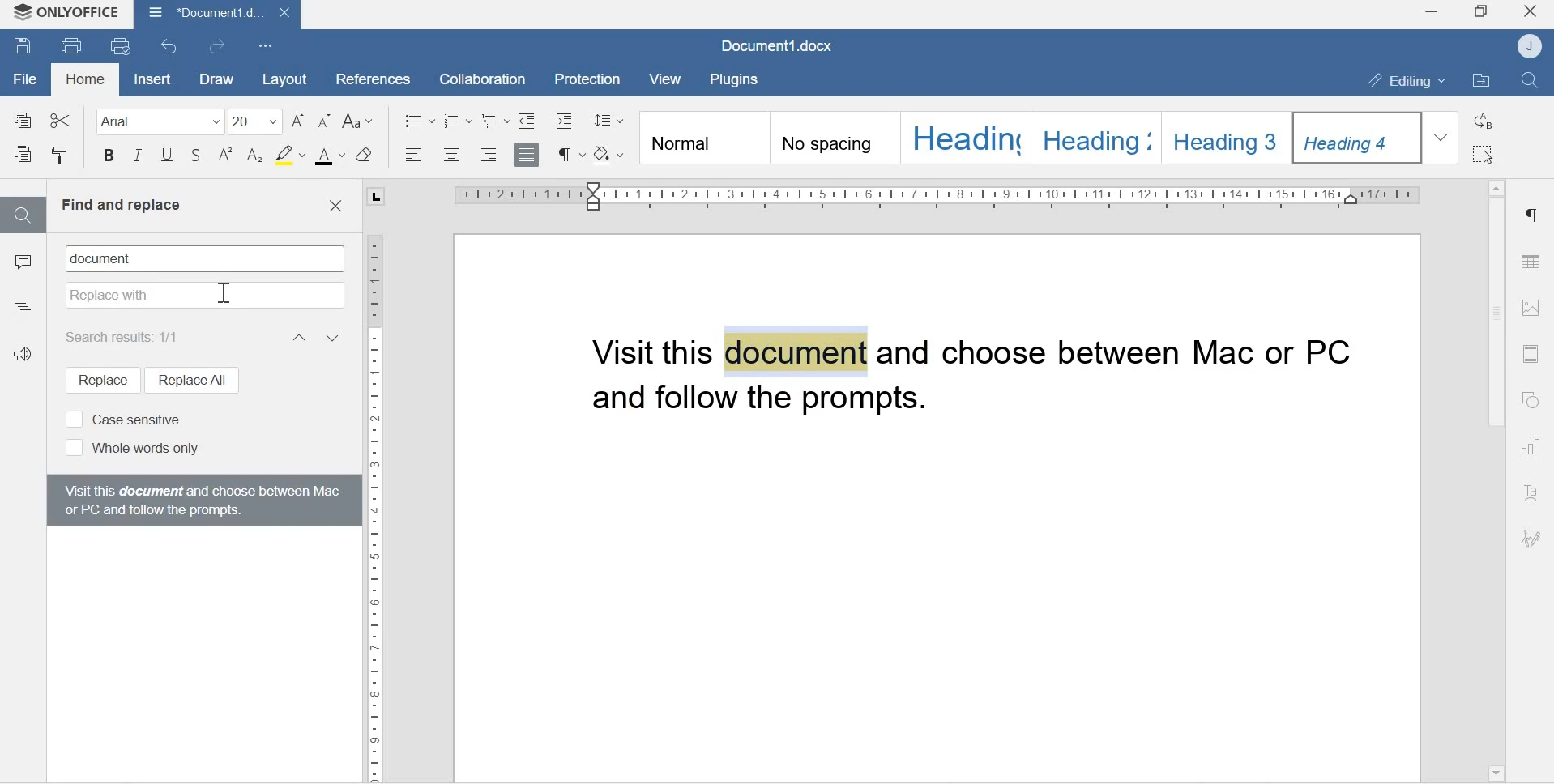  I want to click on Charts, so click(1533, 449).